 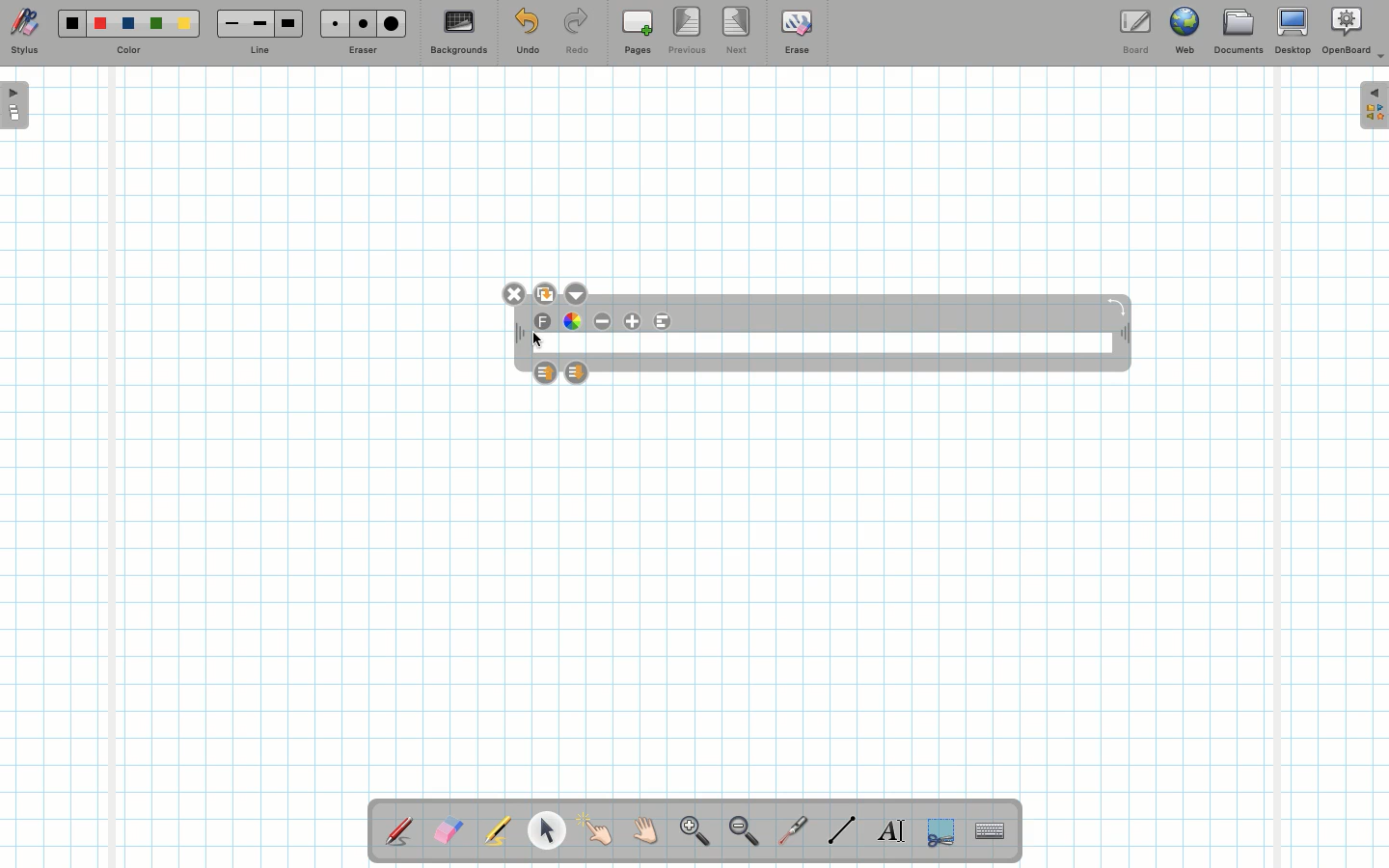 I want to click on Line, so click(x=842, y=829).